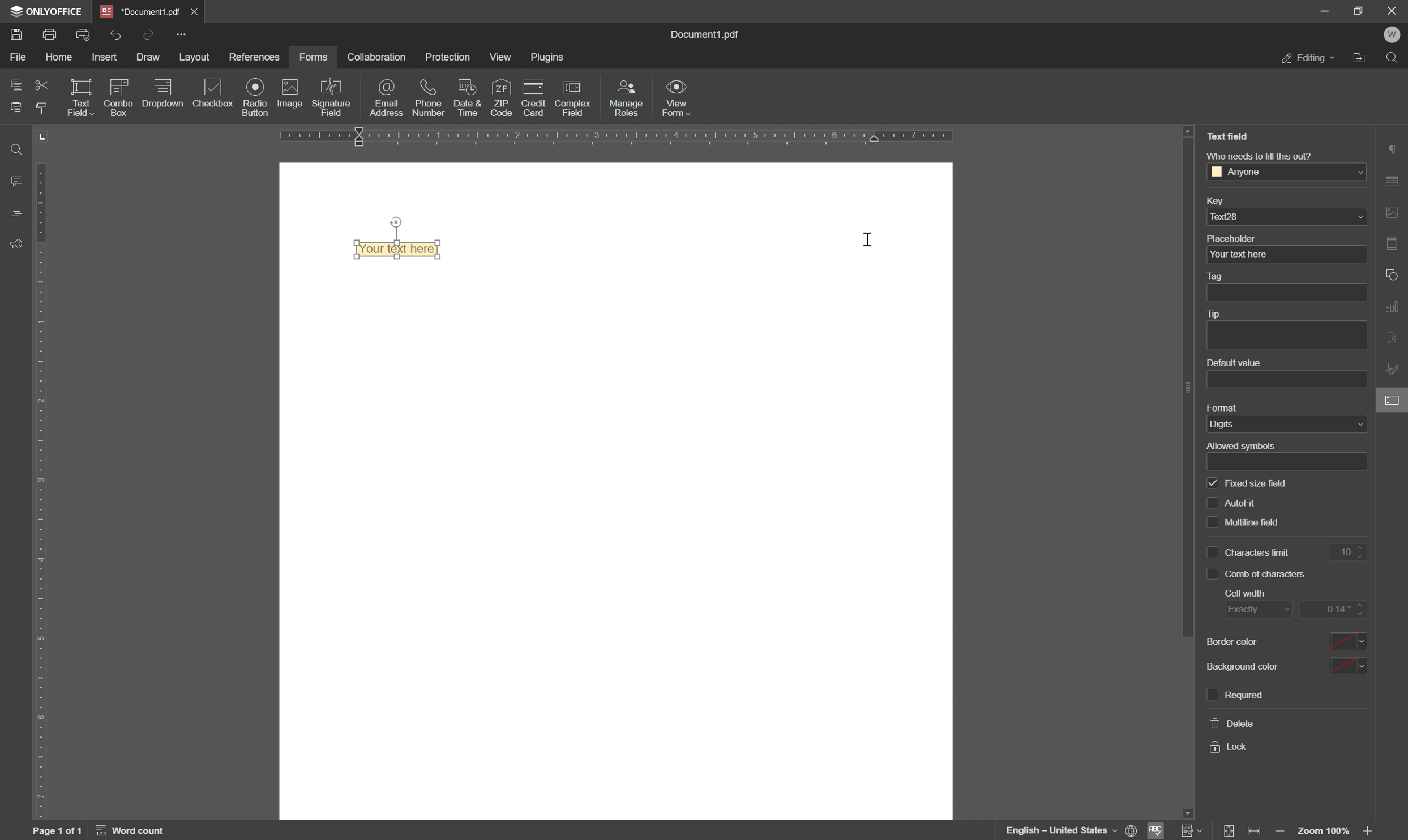  I want to click on fit to page, so click(1230, 832).